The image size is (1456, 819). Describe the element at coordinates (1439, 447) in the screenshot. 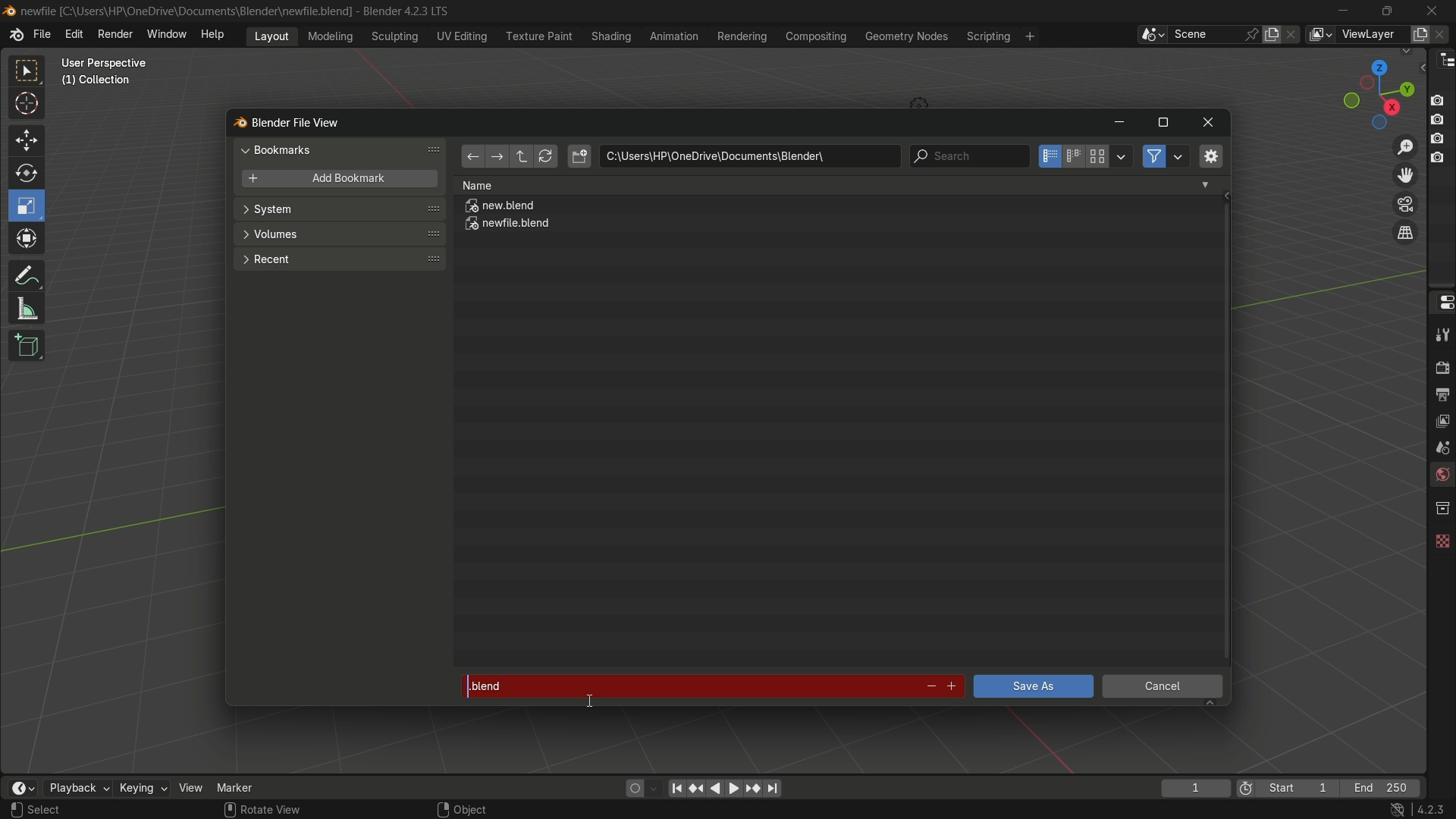

I see `scene` at that location.